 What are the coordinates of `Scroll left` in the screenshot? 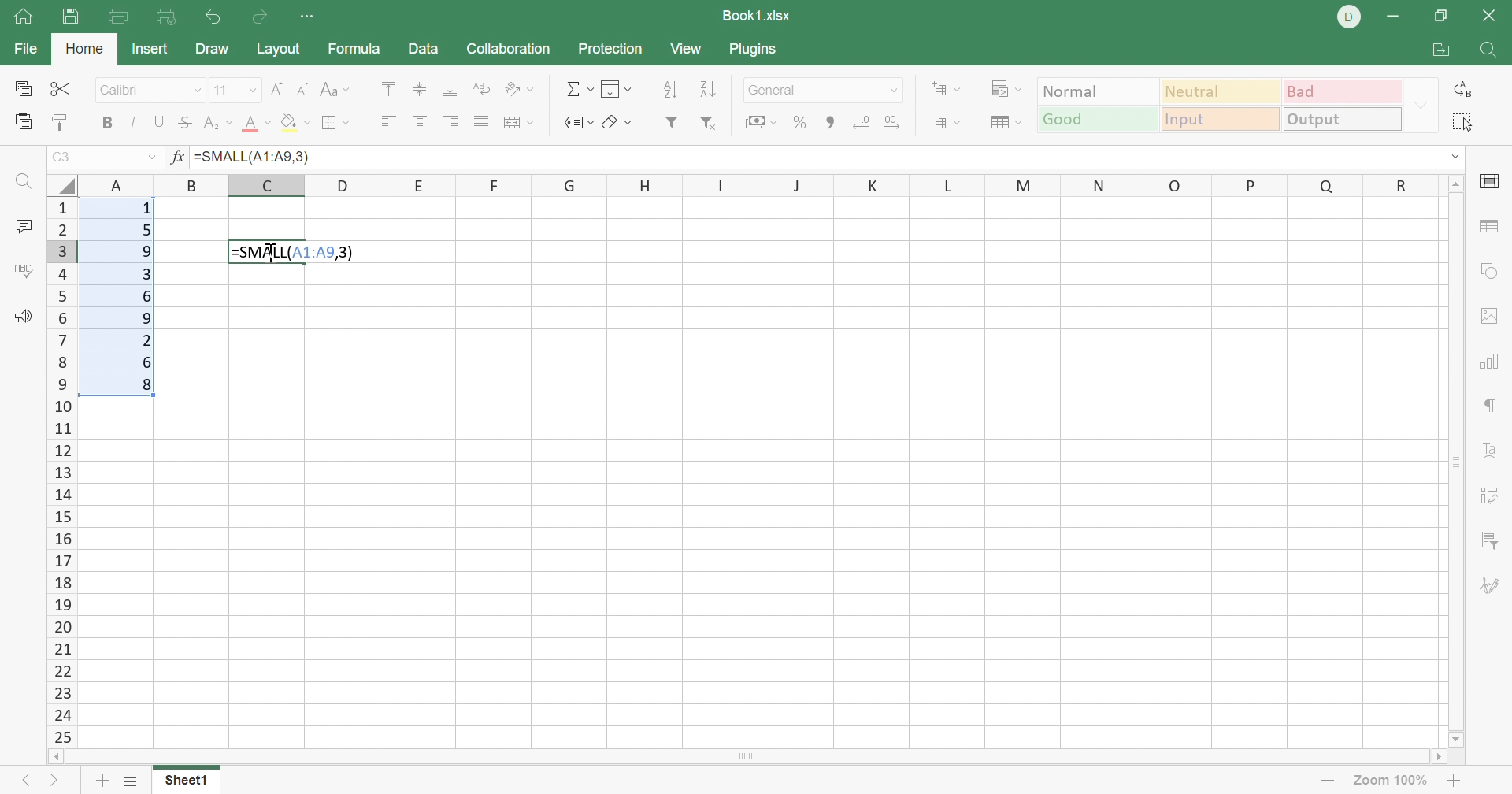 It's located at (54, 755).